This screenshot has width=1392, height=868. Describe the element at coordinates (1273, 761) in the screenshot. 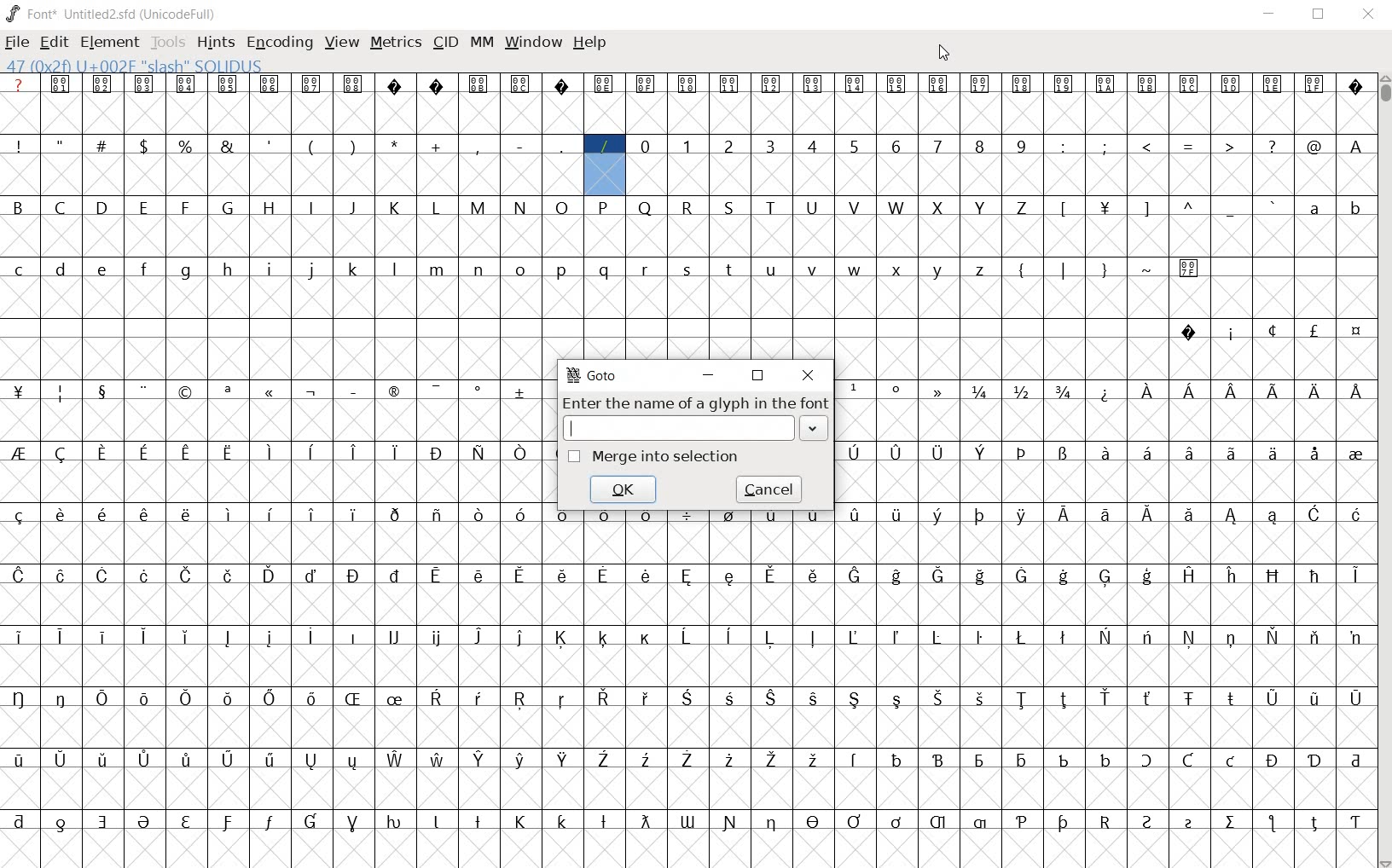

I see `glyph` at that location.